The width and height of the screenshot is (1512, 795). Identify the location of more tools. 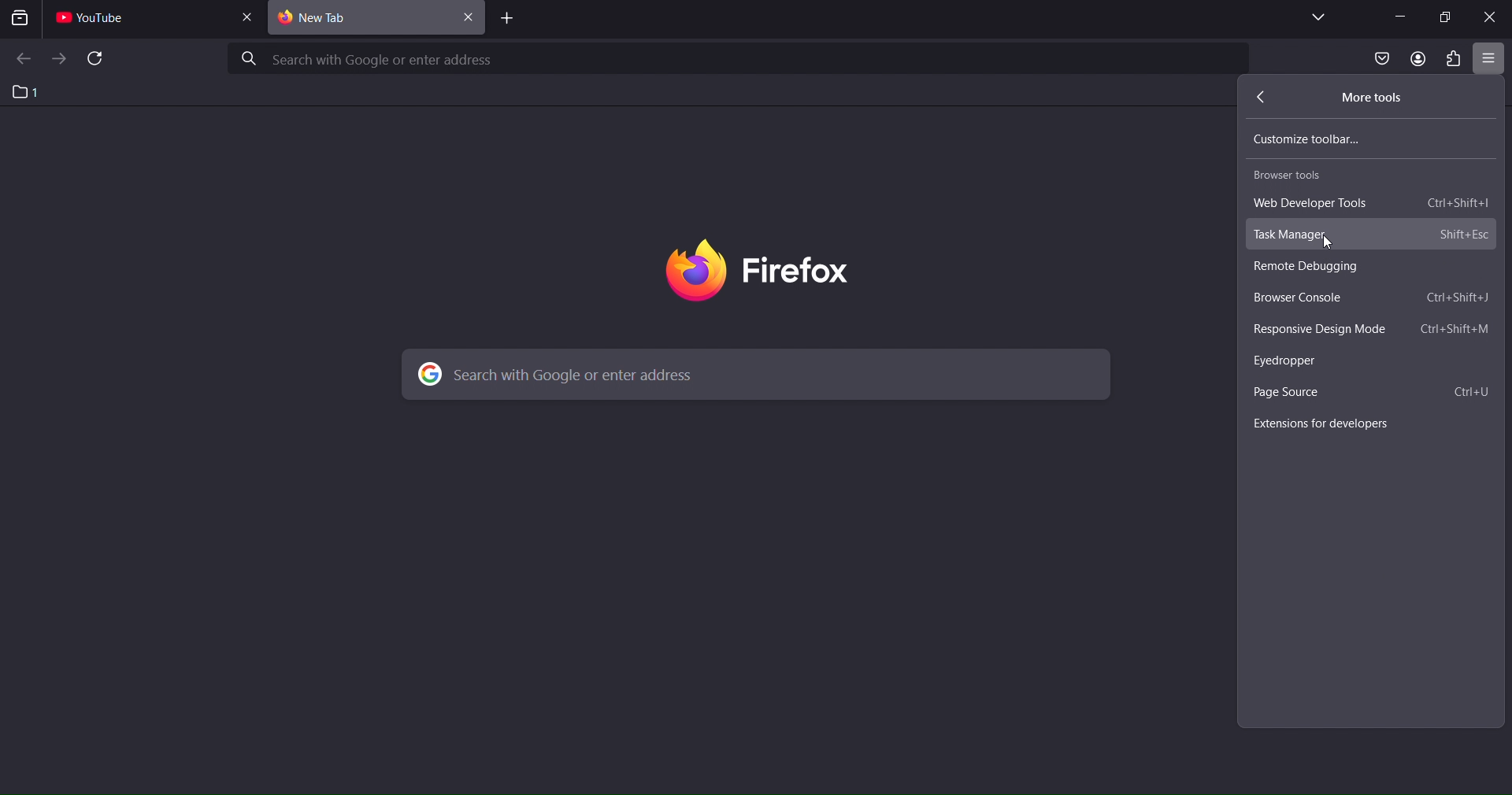
(1373, 99).